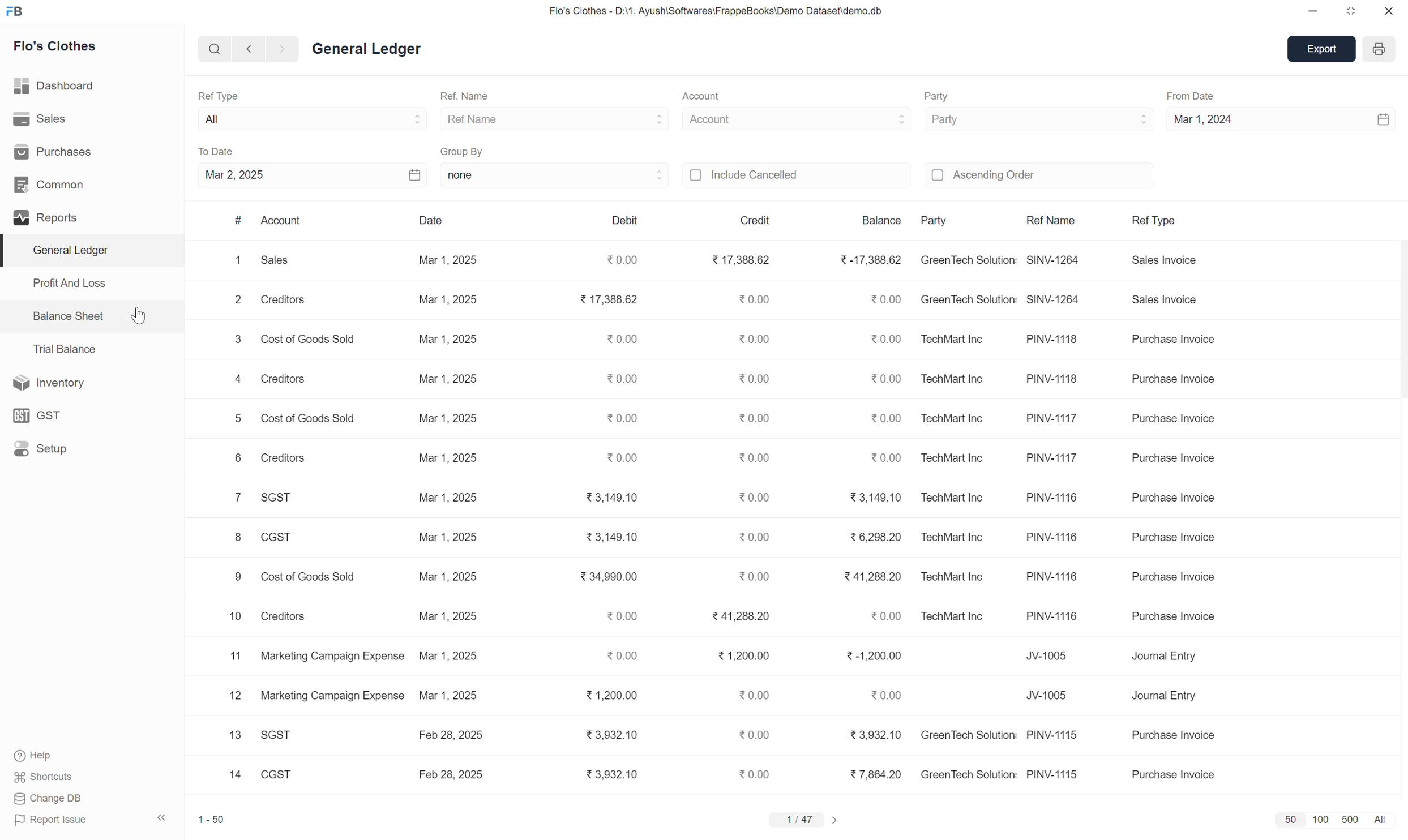 The width and height of the screenshot is (1408, 840). What do you see at coordinates (448, 458) in the screenshot?
I see `Mar 1, 2025` at bounding box center [448, 458].